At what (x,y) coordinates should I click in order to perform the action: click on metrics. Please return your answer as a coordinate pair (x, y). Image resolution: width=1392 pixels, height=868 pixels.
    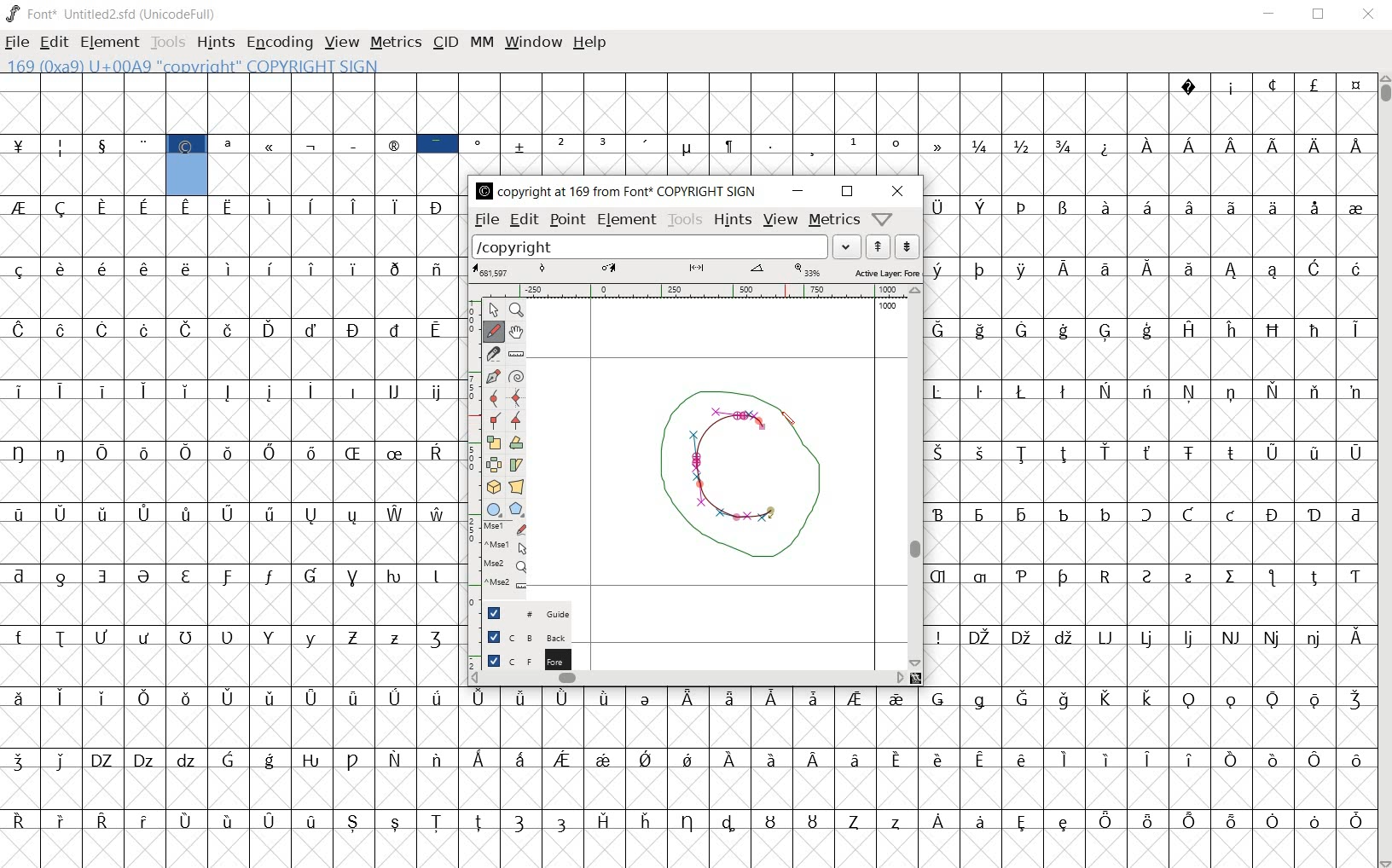
    Looking at the image, I should click on (395, 42).